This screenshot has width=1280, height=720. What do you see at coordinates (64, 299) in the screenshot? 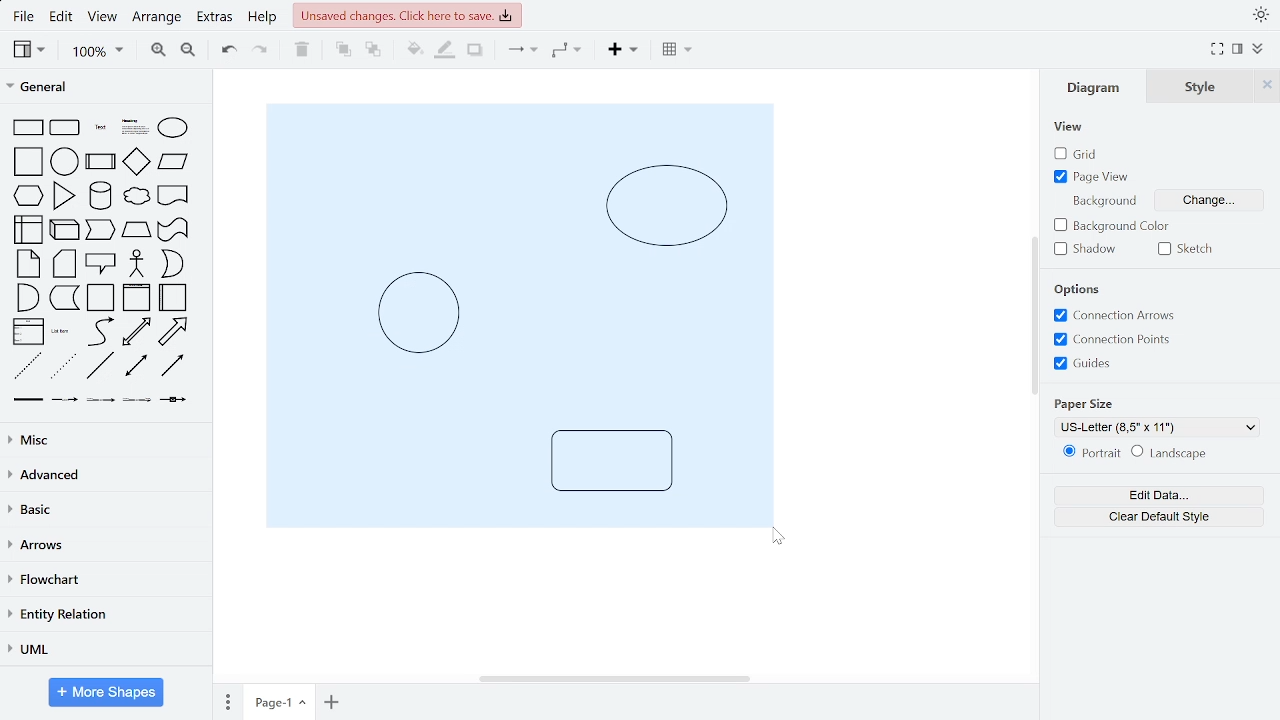
I see `step` at bounding box center [64, 299].